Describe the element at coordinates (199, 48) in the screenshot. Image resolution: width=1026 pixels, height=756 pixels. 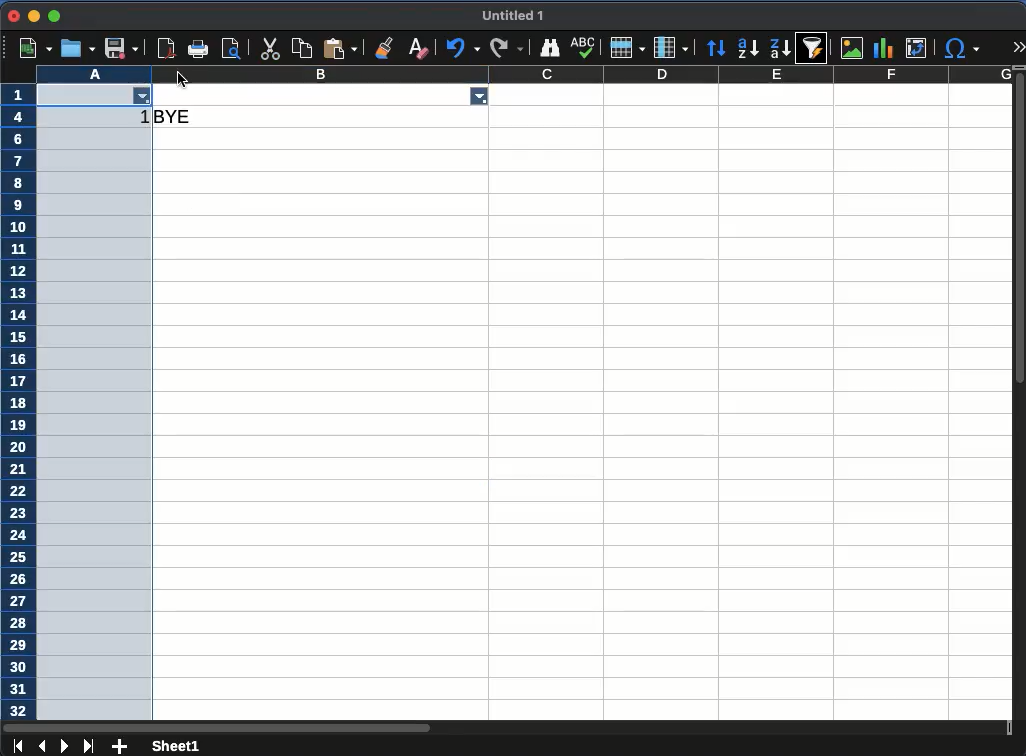
I see `print` at that location.